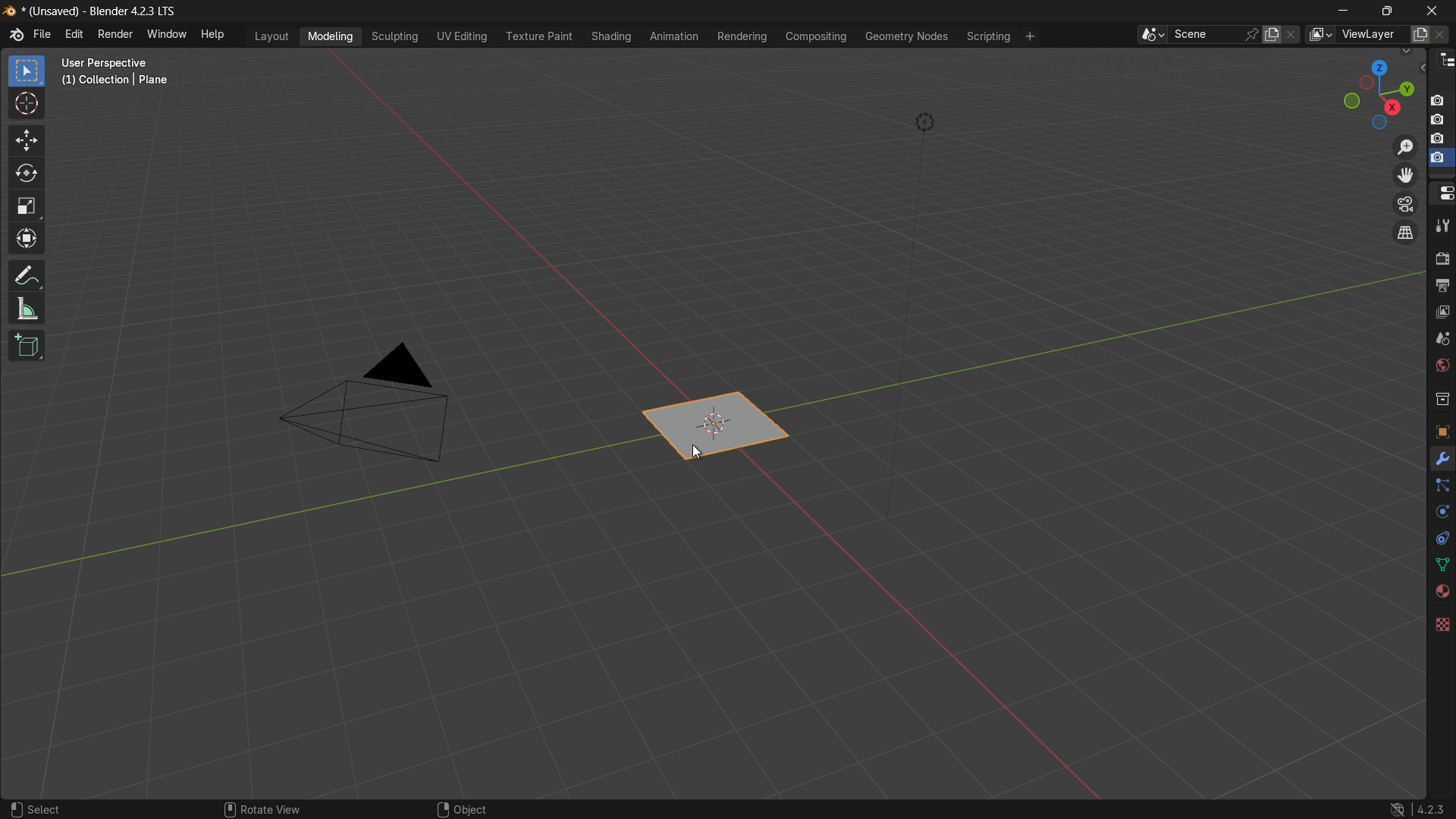  What do you see at coordinates (1439, 138) in the screenshot?
I see `capture` at bounding box center [1439, 138].